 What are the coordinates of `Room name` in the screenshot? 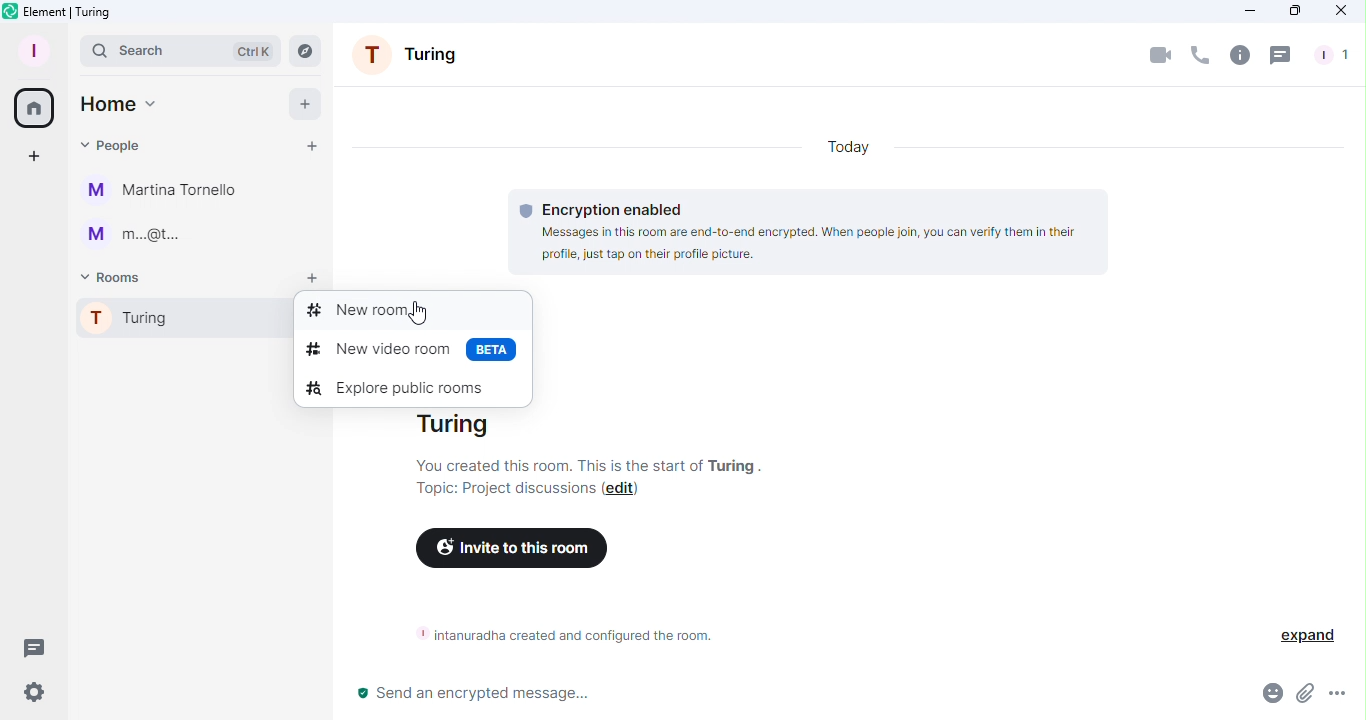 It's located at (413, 59).